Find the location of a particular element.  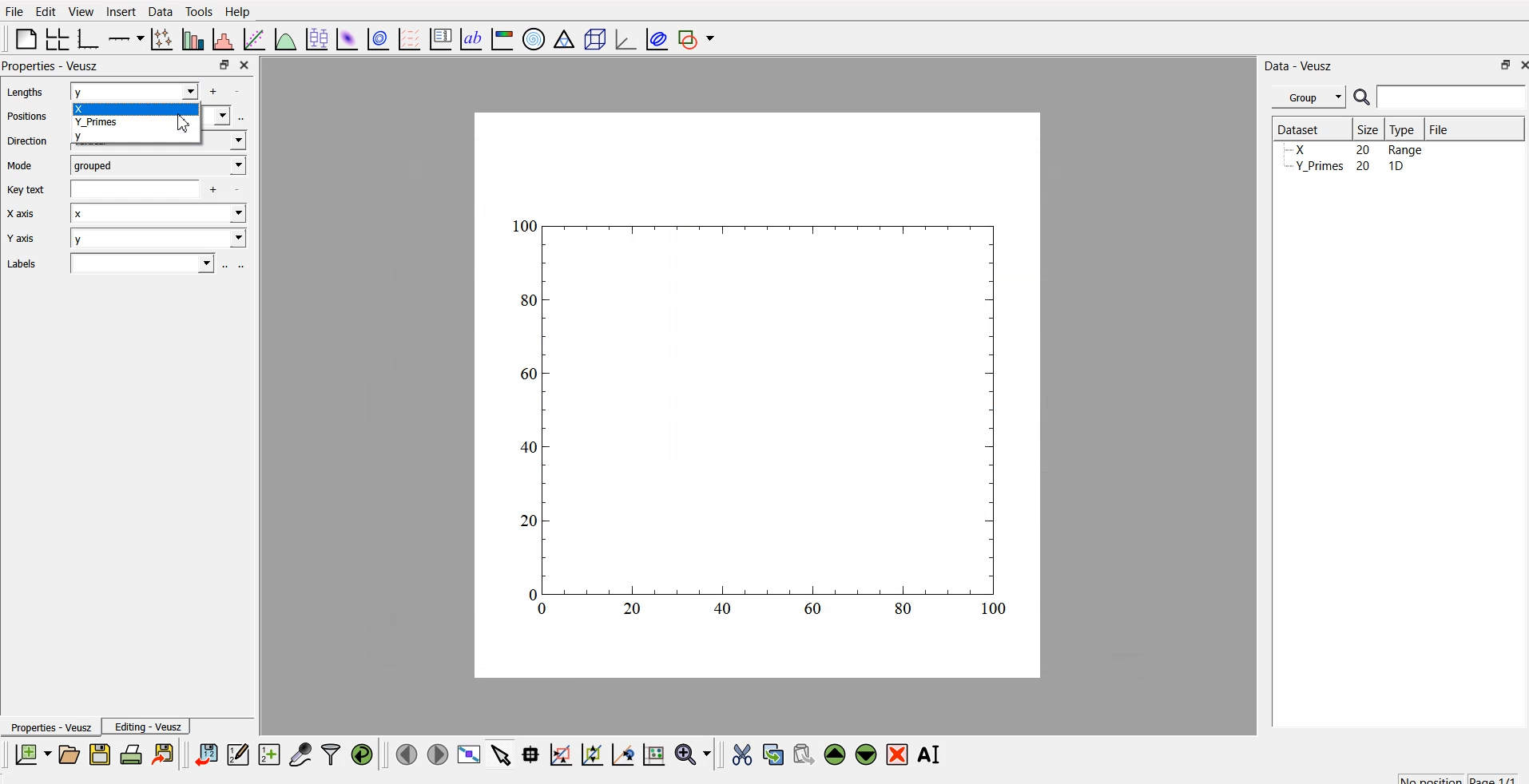

remove the selected widget is located at coordinates (900, 754).